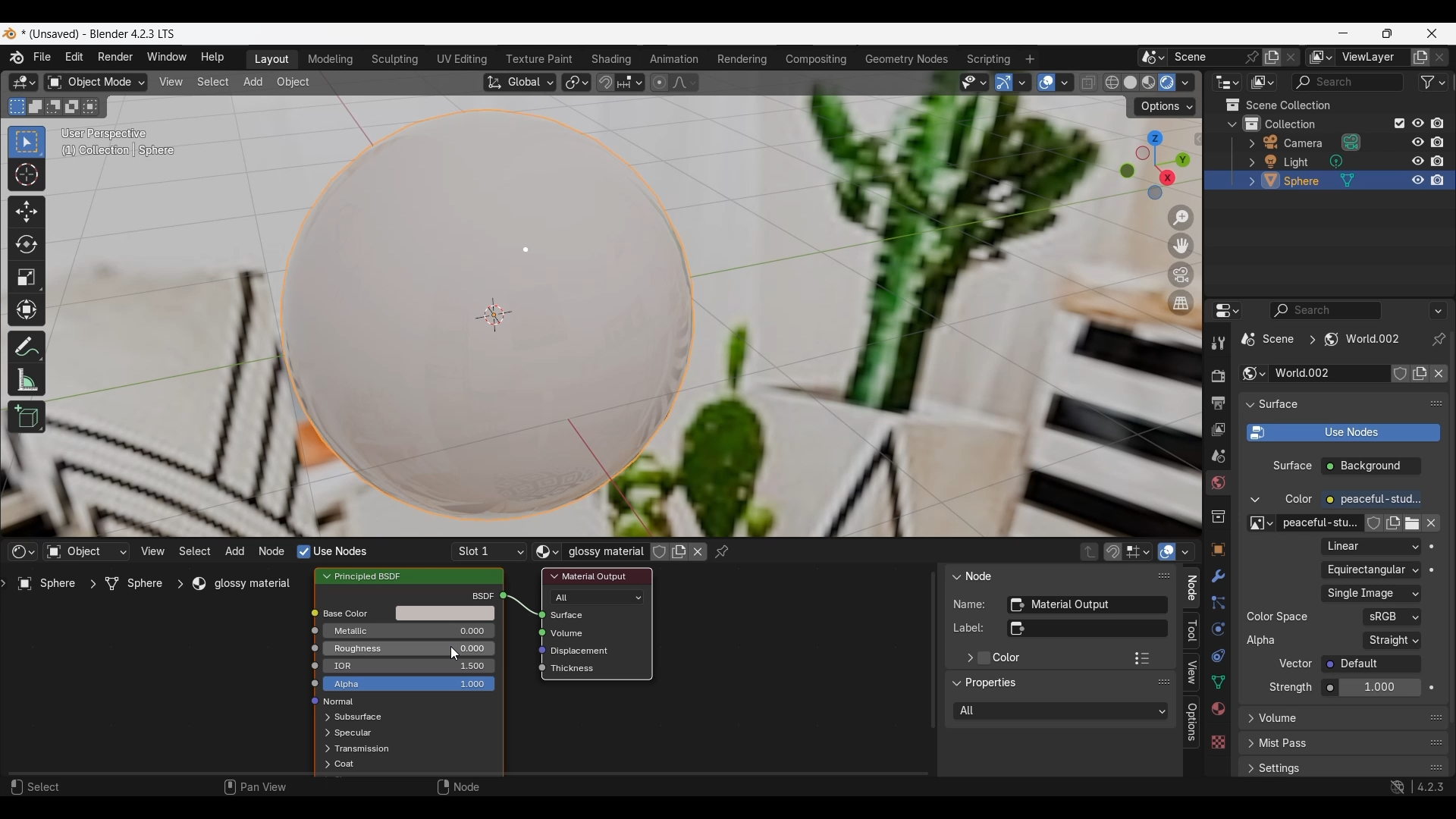 The width and height of the screenshot is (1456, 819). What do you see at coordinates (1217, 375) in the screenshot?
I see `Render properties` at bounding box center [1217, 375].